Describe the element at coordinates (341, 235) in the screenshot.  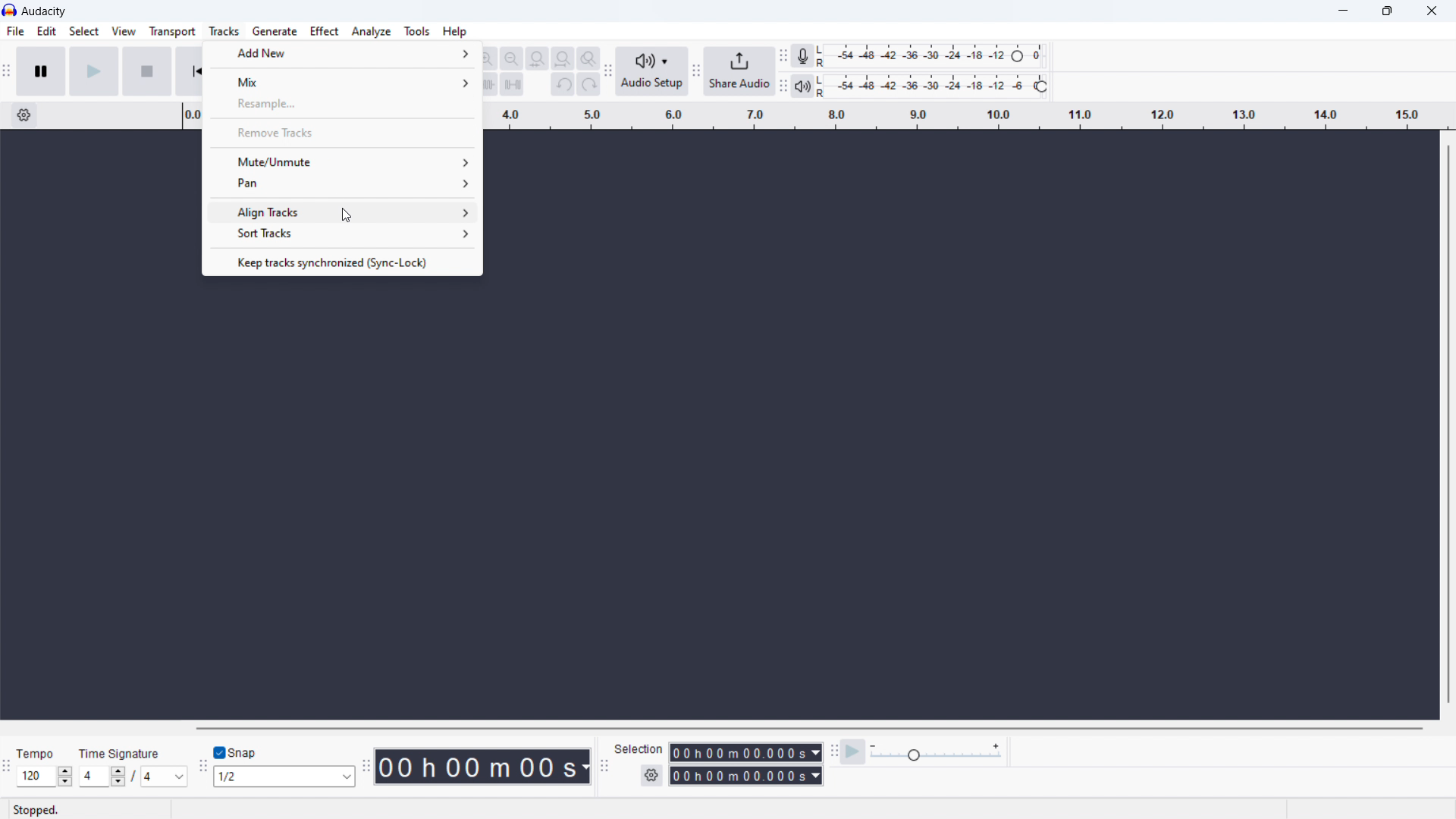
I see `sort tracks` at that location.